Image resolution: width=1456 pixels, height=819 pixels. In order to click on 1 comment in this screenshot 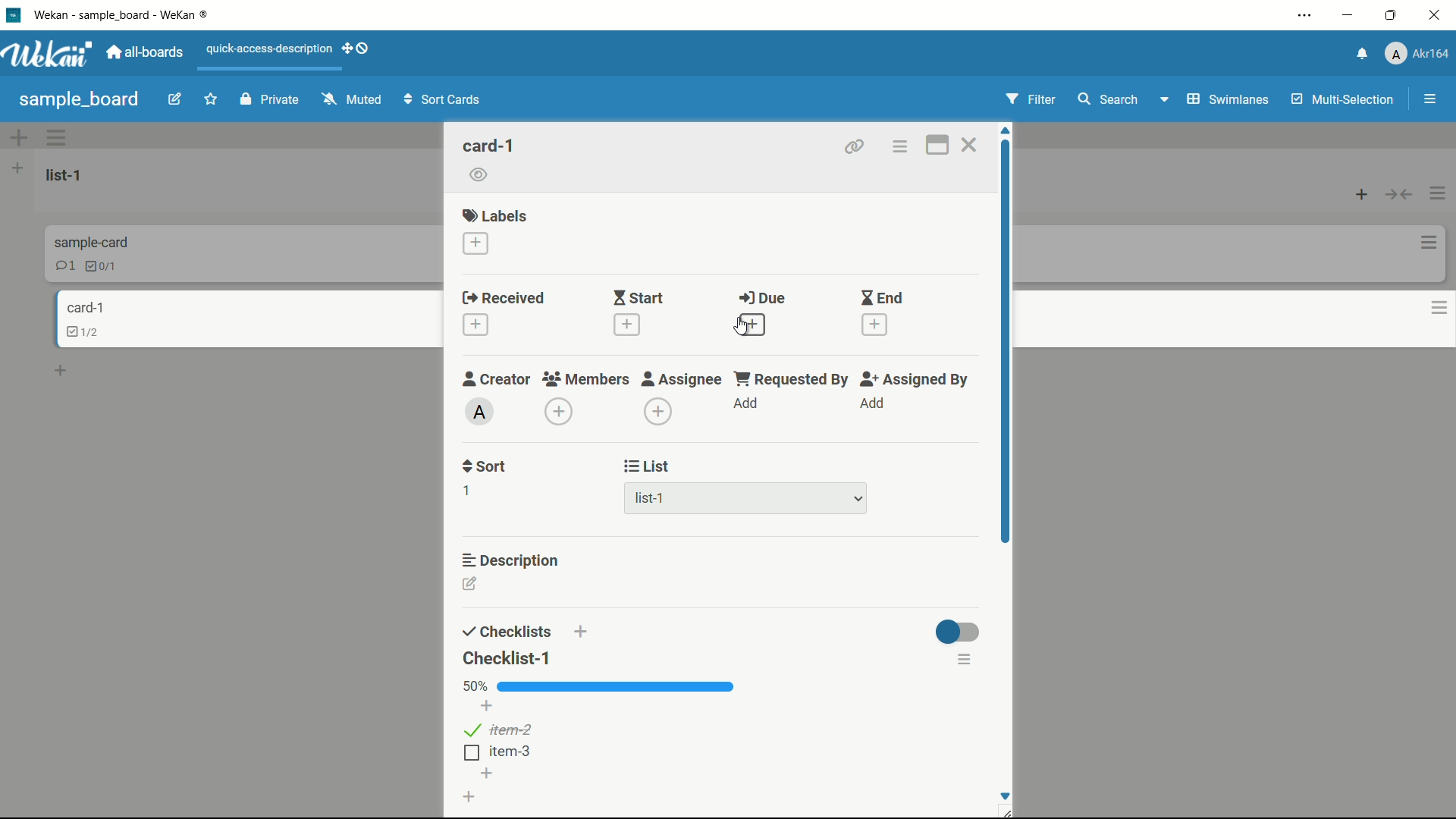, I will do `click(61, 268)`.